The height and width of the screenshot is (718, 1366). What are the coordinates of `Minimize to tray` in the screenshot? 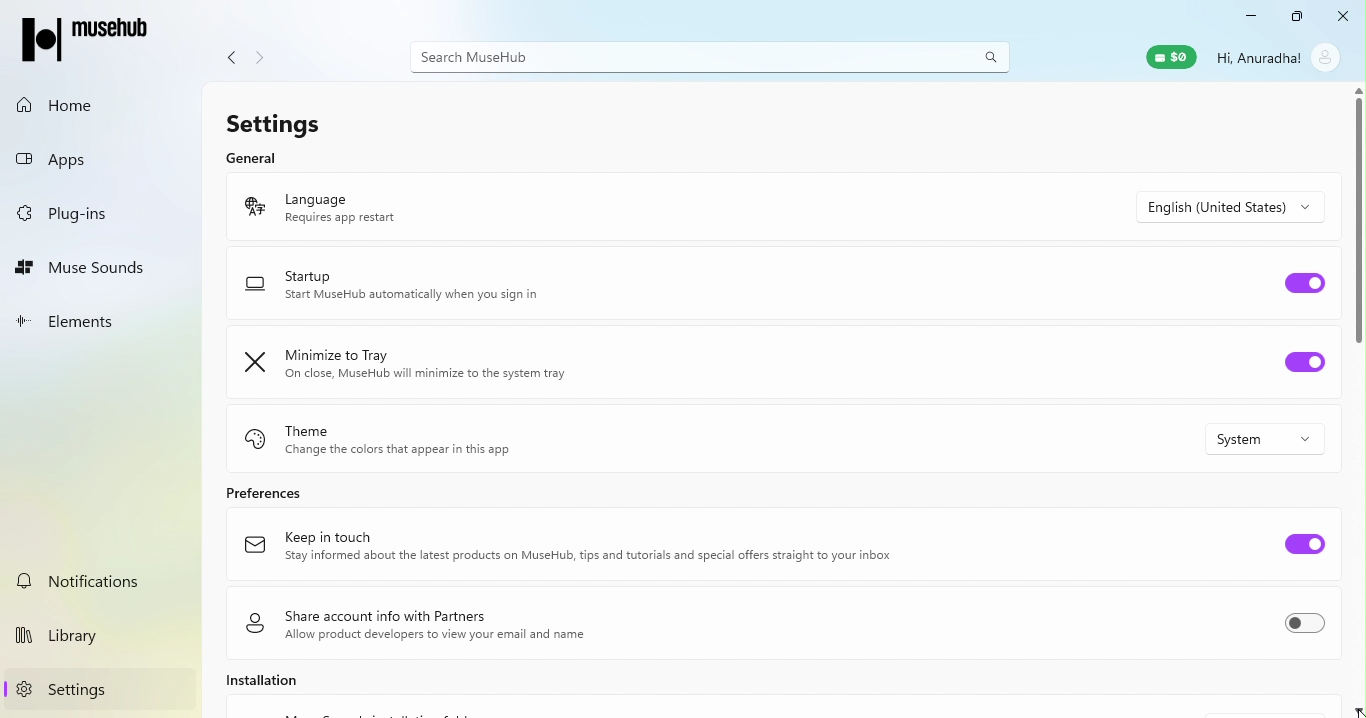 It's located at (434, 366).